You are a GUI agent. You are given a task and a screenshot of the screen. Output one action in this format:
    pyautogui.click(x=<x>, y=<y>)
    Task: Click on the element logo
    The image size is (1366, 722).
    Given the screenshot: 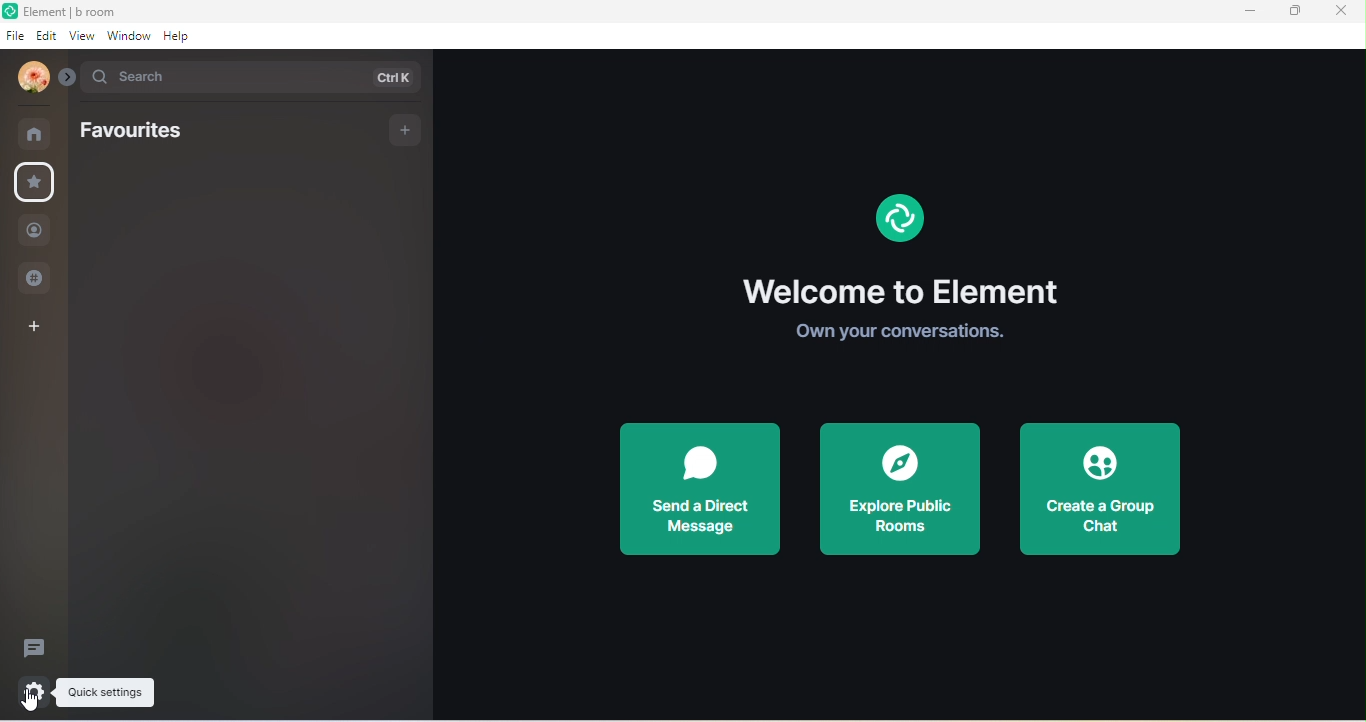 What is the action you would take?
    pyautogui.click(x=899, y=215)
    